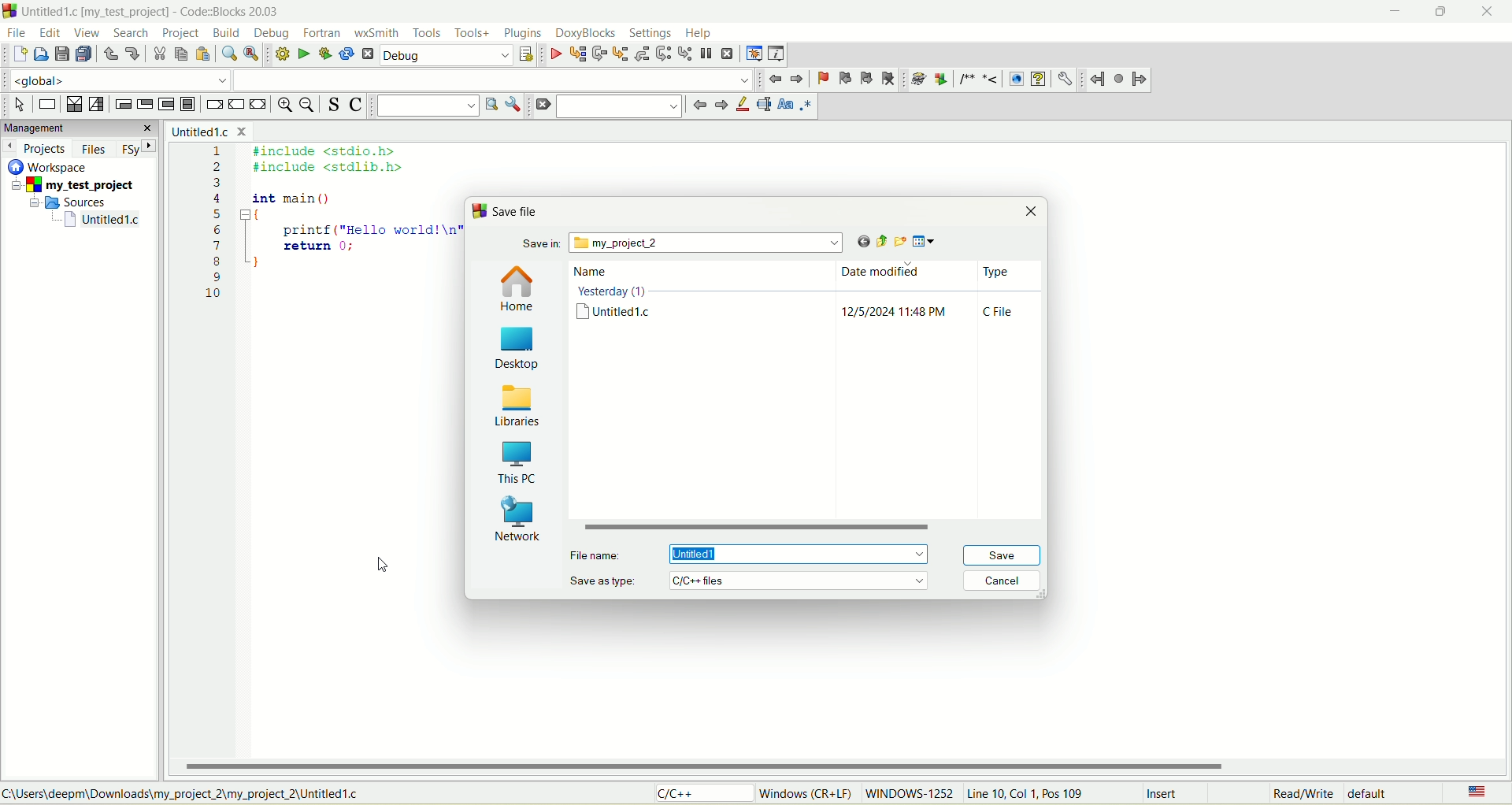 This screenshot has height=805, width=1512. Describe the element at coordinates (775, 52) in the screenshot. I see `various info` at that location.